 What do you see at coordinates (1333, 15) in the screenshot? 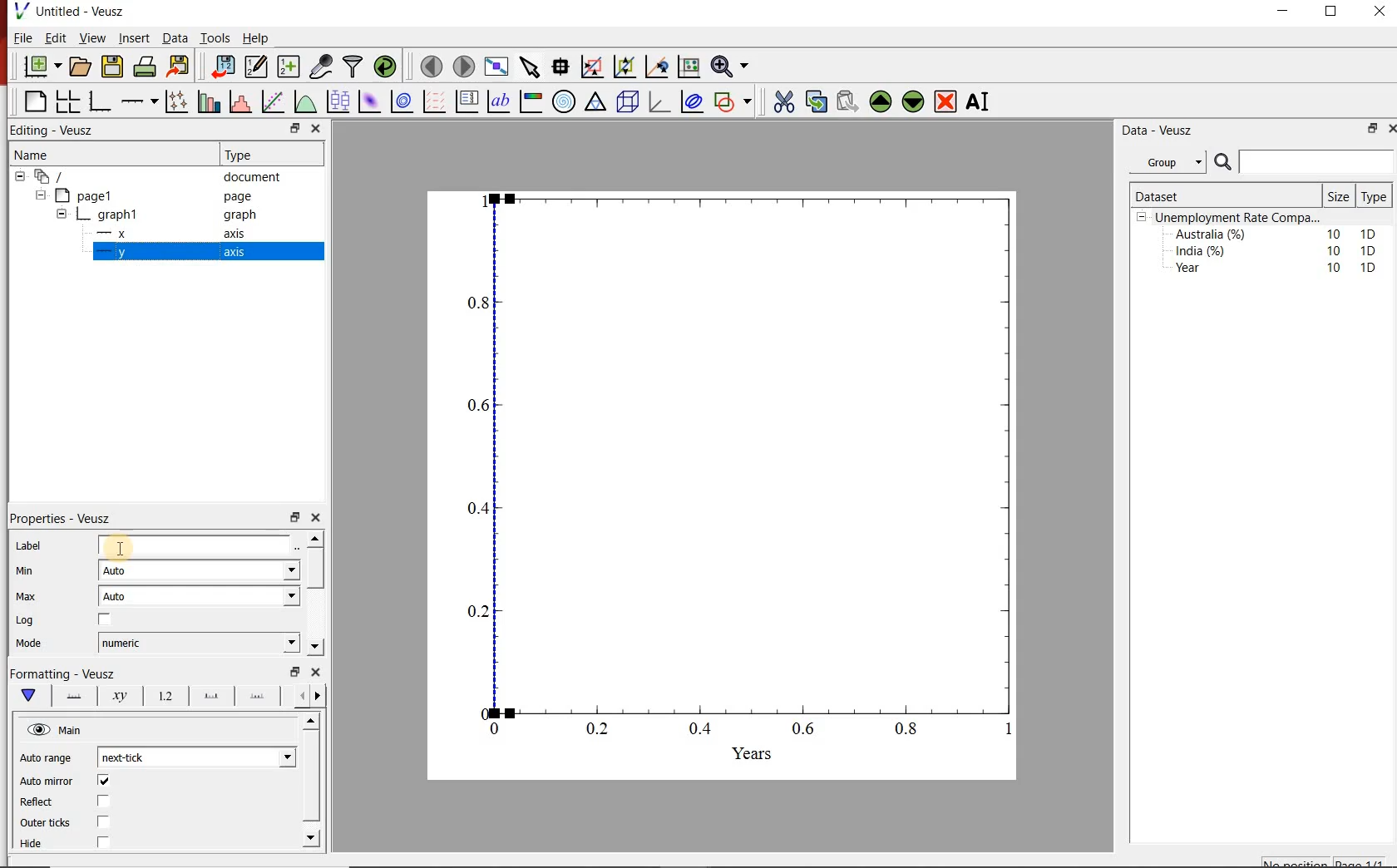
I see `maximise` at bounding box center [1333, 15].